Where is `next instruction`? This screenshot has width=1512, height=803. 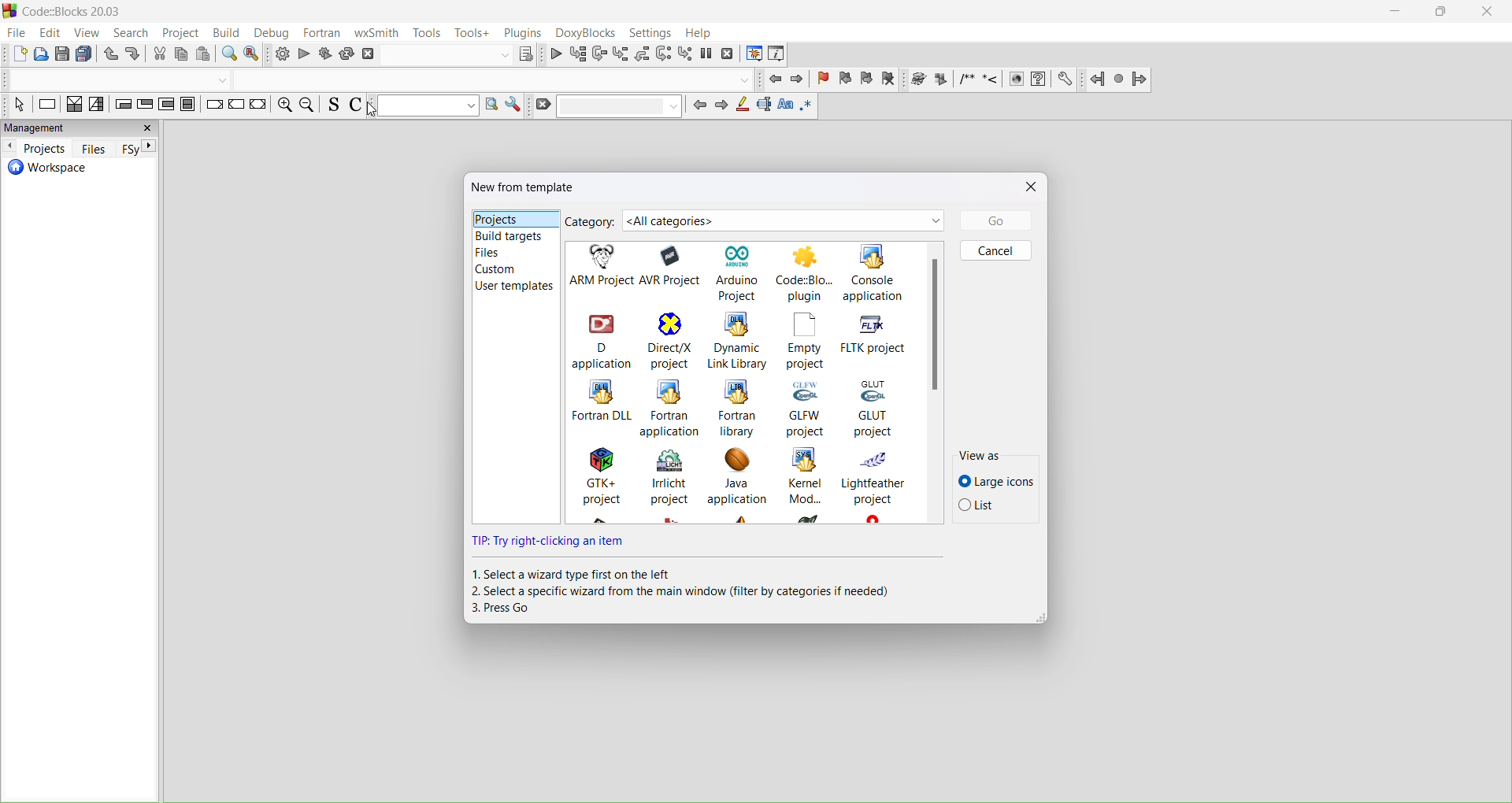
next instruction is located at coordinates (664, 54).